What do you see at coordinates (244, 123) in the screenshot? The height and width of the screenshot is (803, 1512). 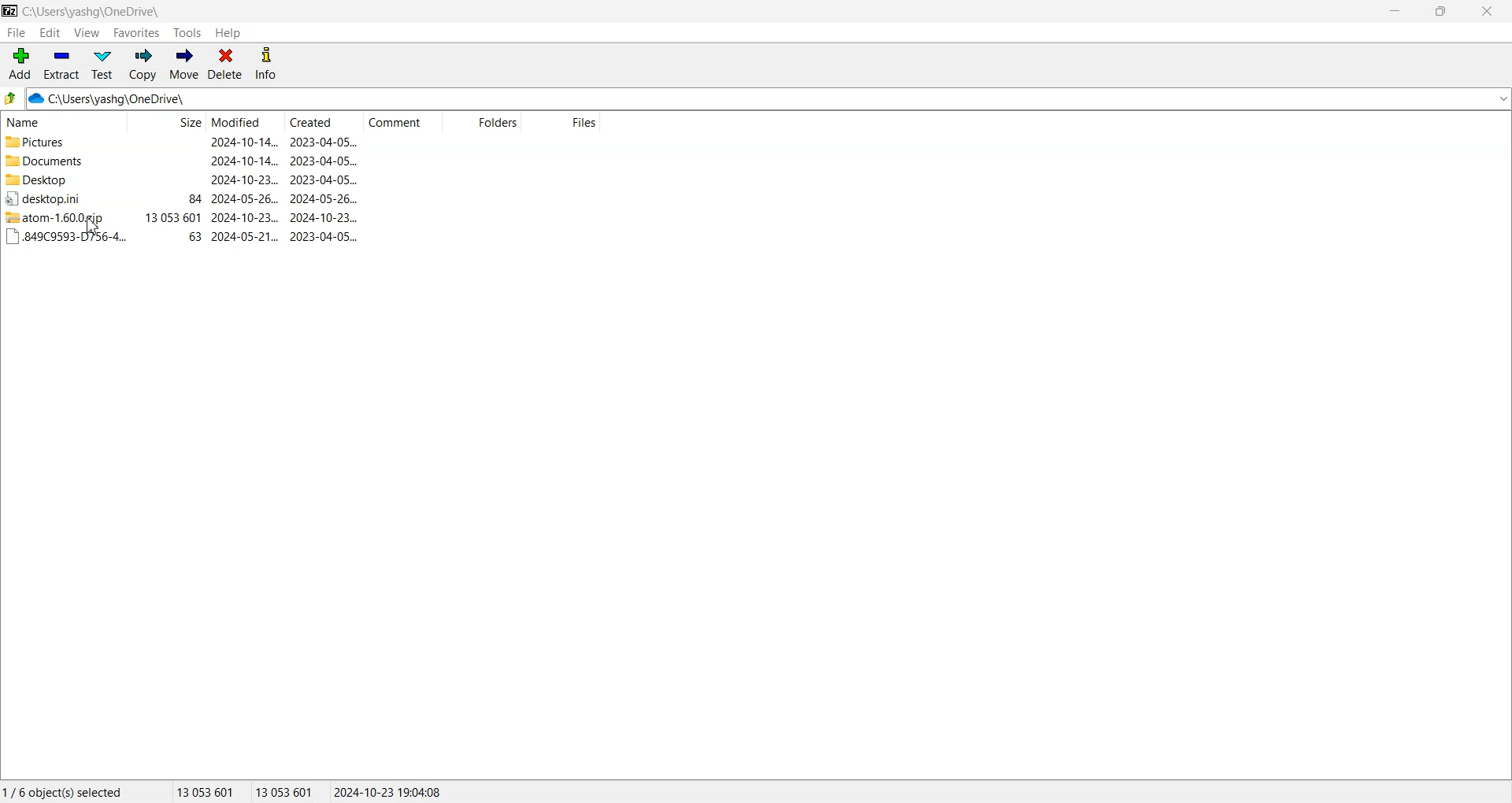 I see `Modified date` at bounding box center [244, 123].